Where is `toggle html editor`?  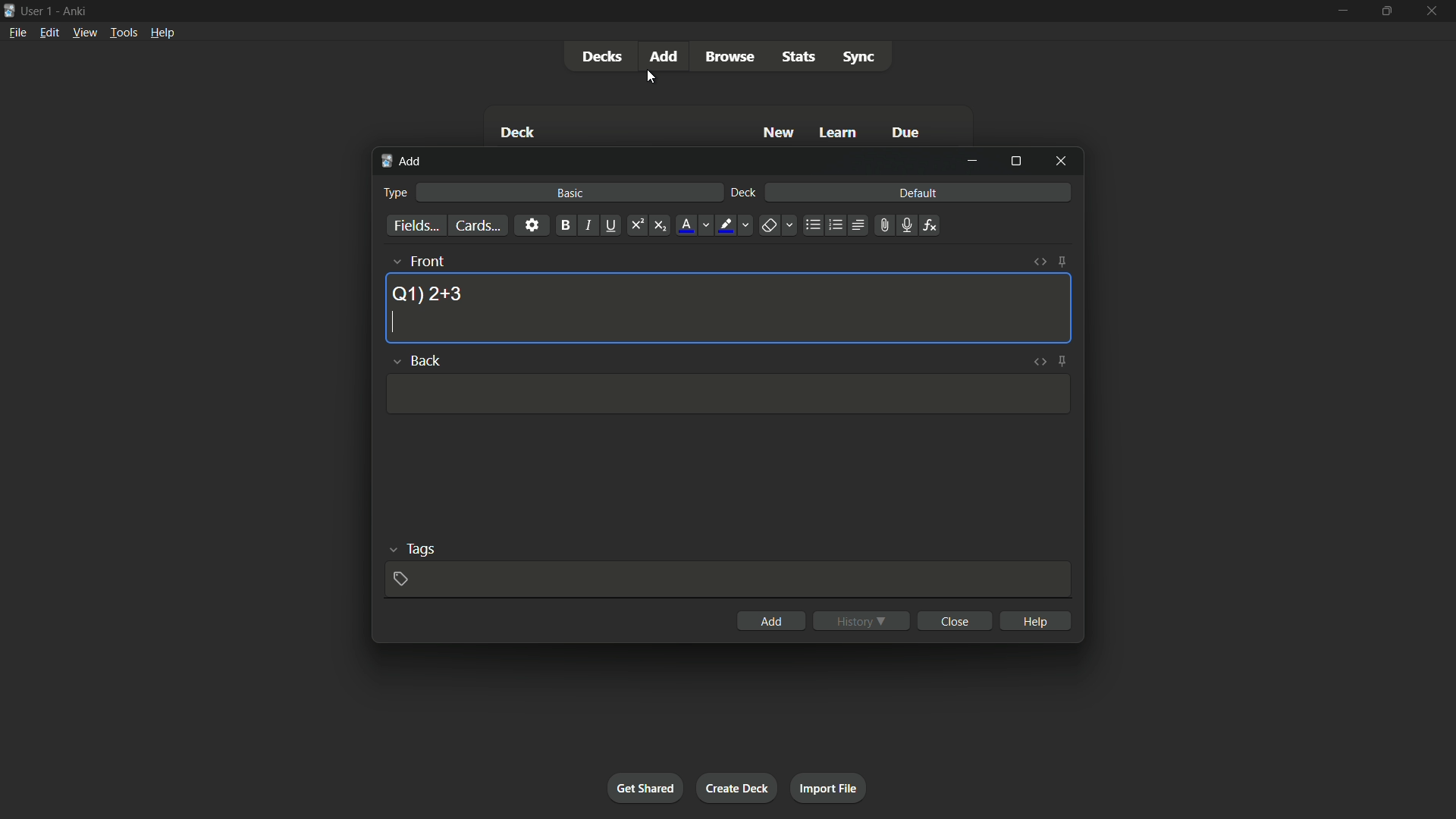
toggle html editor is located at coordinates (1040, 262).